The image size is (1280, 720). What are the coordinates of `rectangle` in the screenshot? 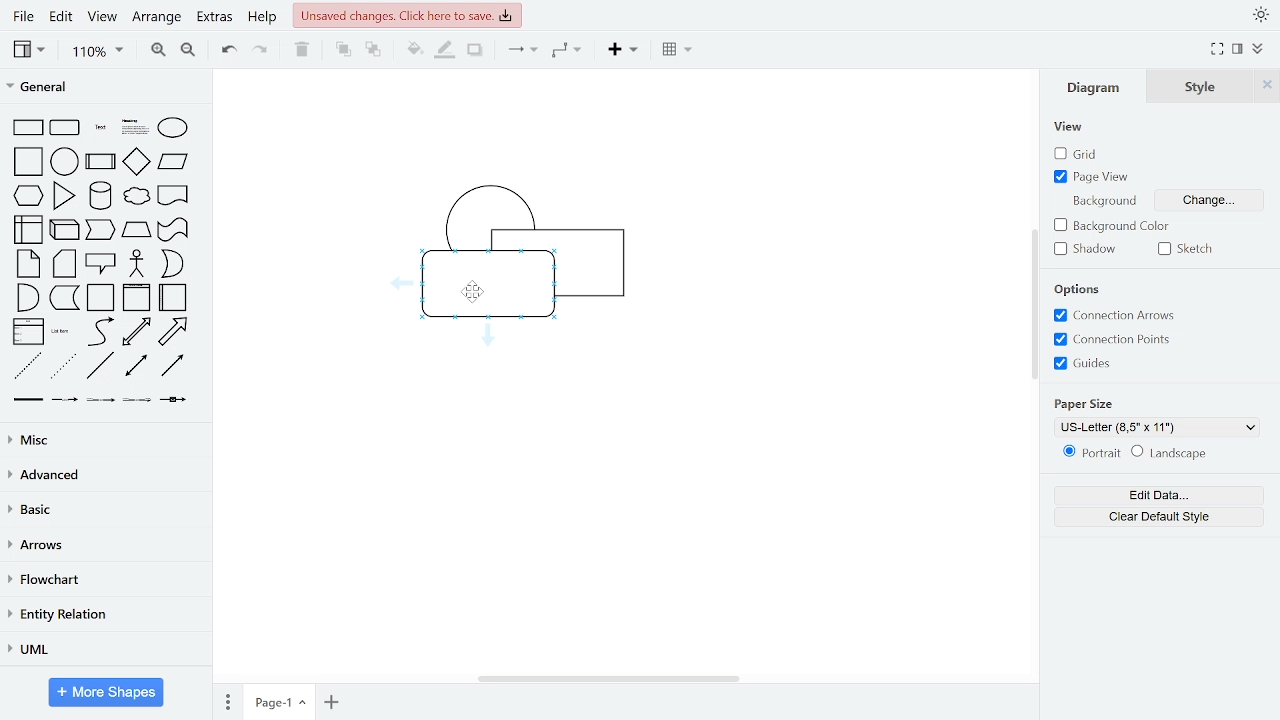 It's located at (27, 128).